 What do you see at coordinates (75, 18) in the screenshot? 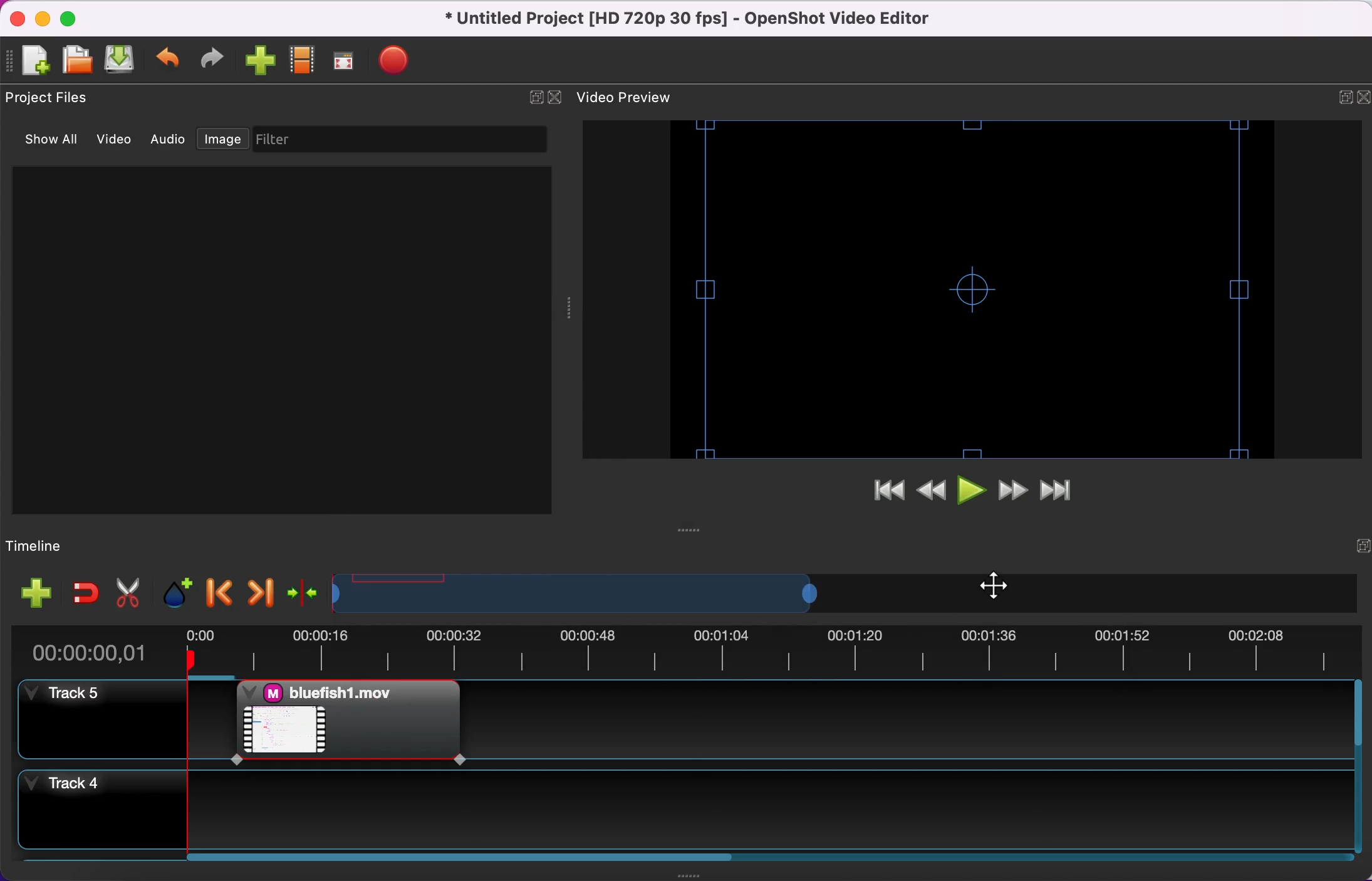
I see `maximize` at bounding box center [75, 18].